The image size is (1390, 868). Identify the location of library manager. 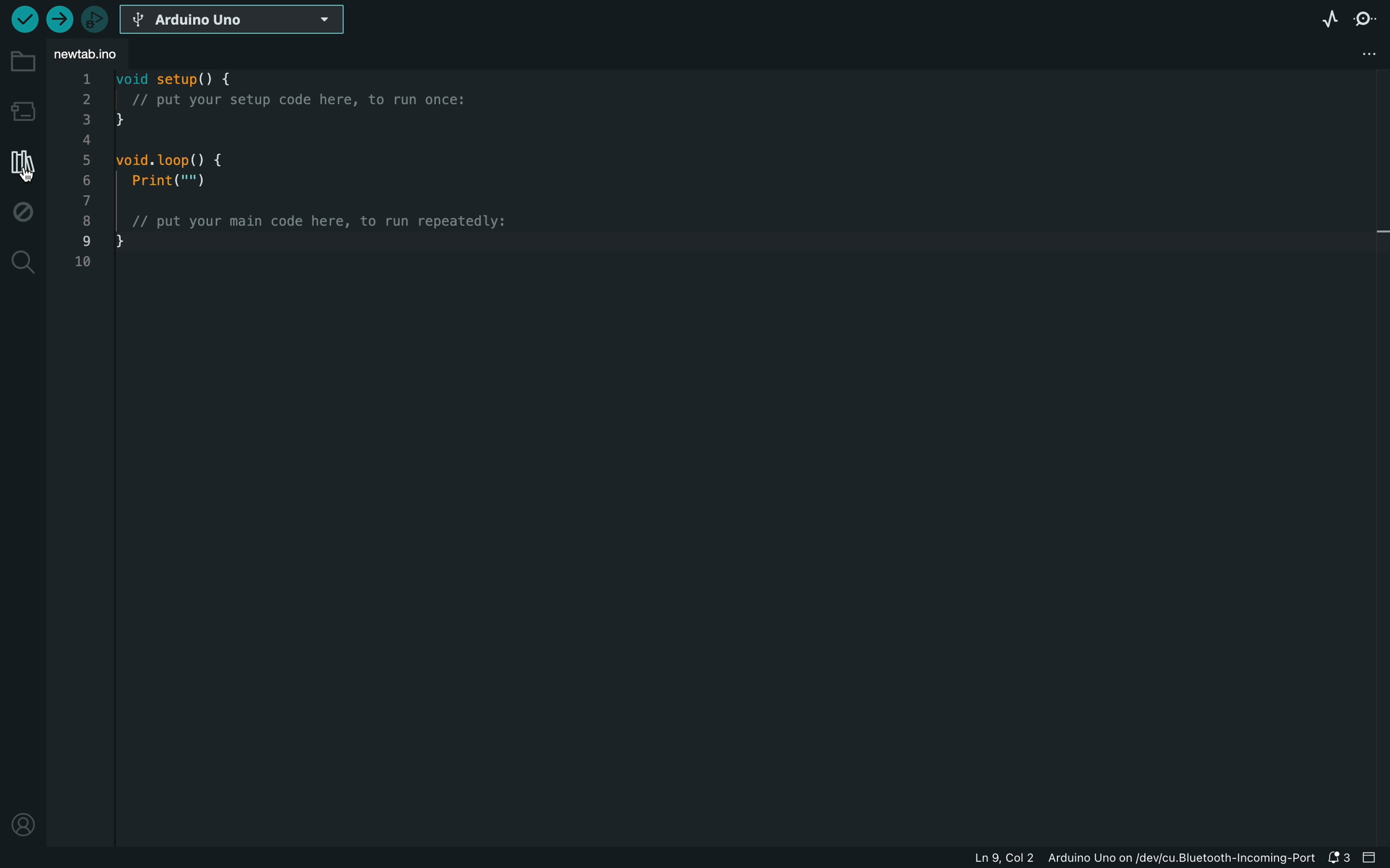
(20, 162).